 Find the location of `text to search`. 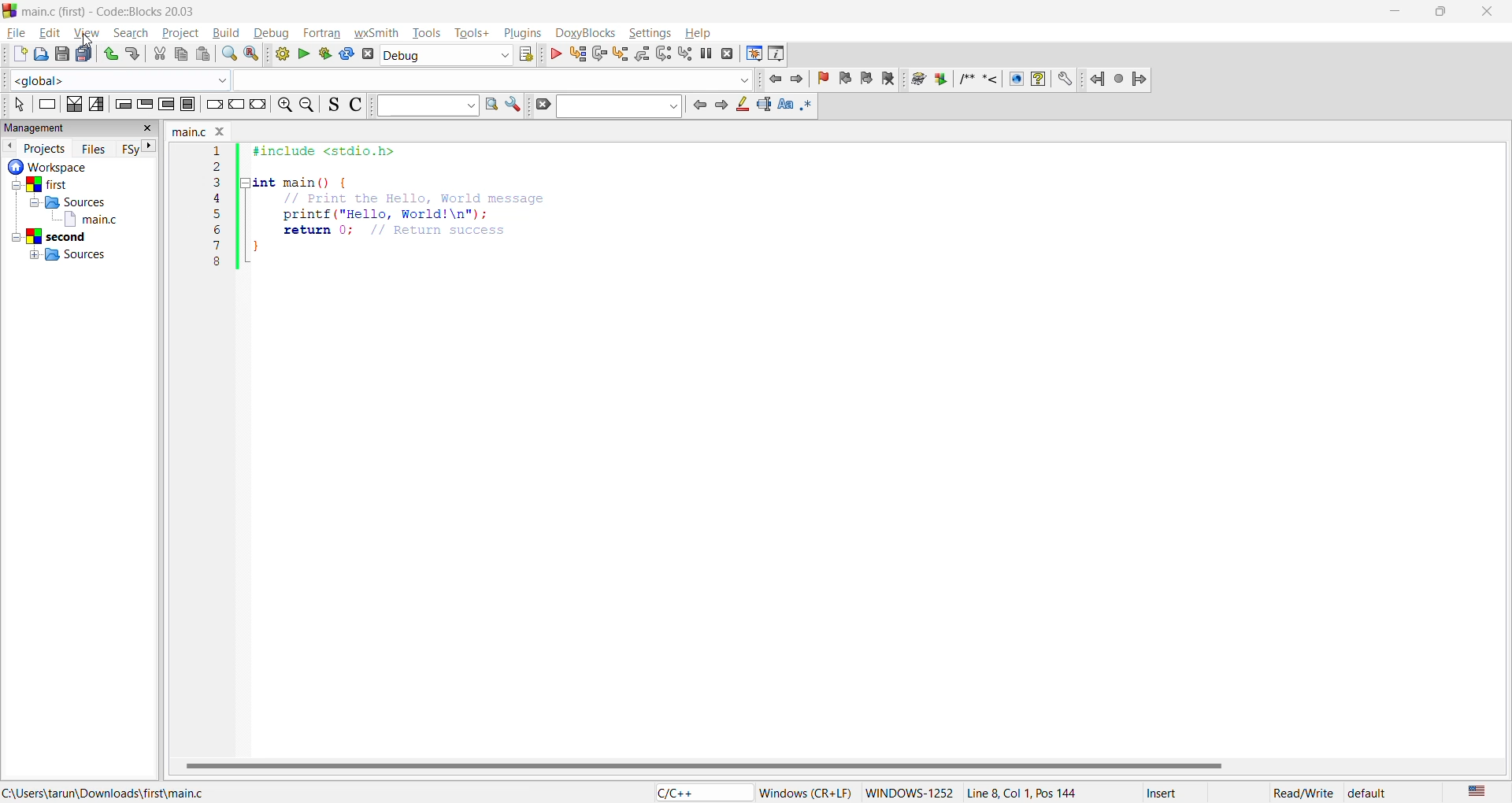

text to search is located at coordinates (428, 105).